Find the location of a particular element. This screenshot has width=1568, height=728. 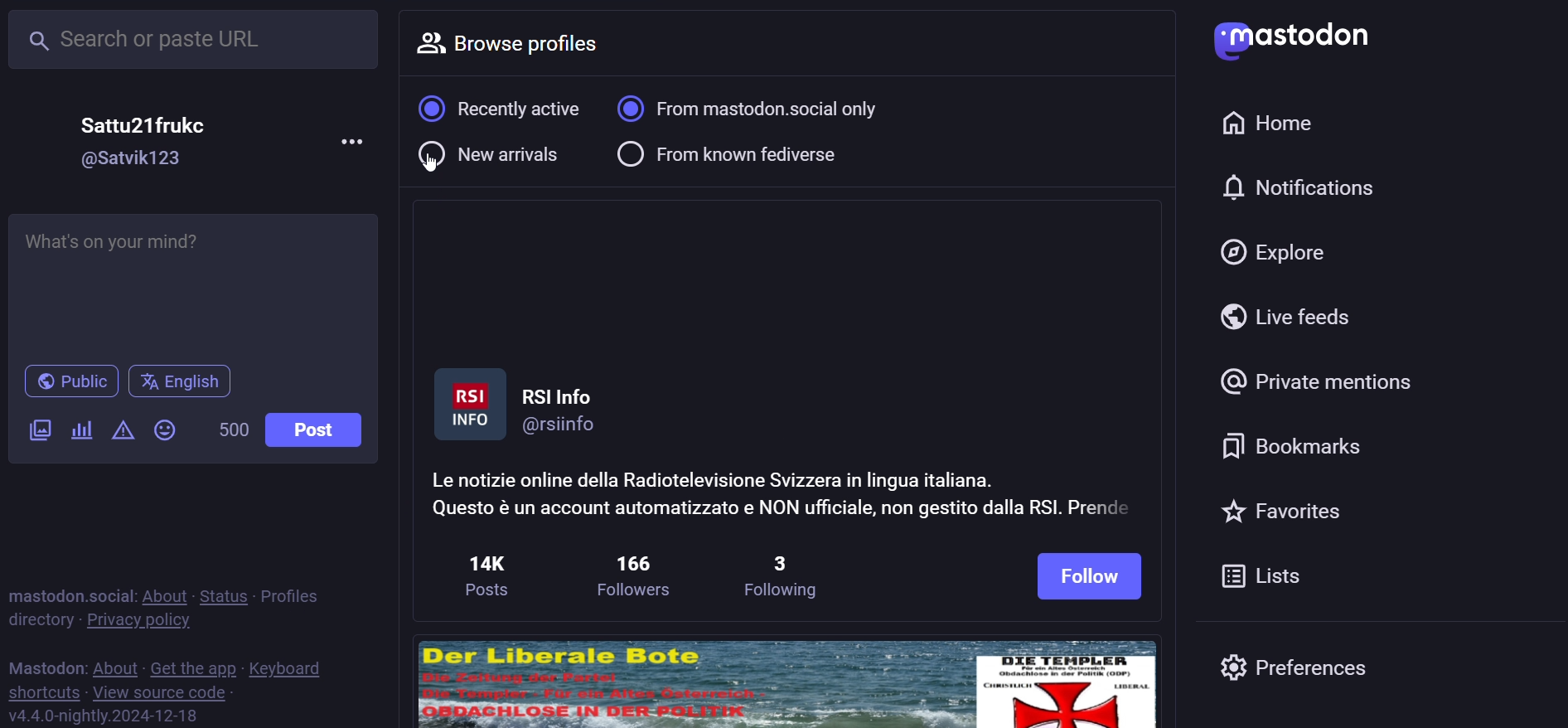

favorites is located at coordinates (1299, 507).